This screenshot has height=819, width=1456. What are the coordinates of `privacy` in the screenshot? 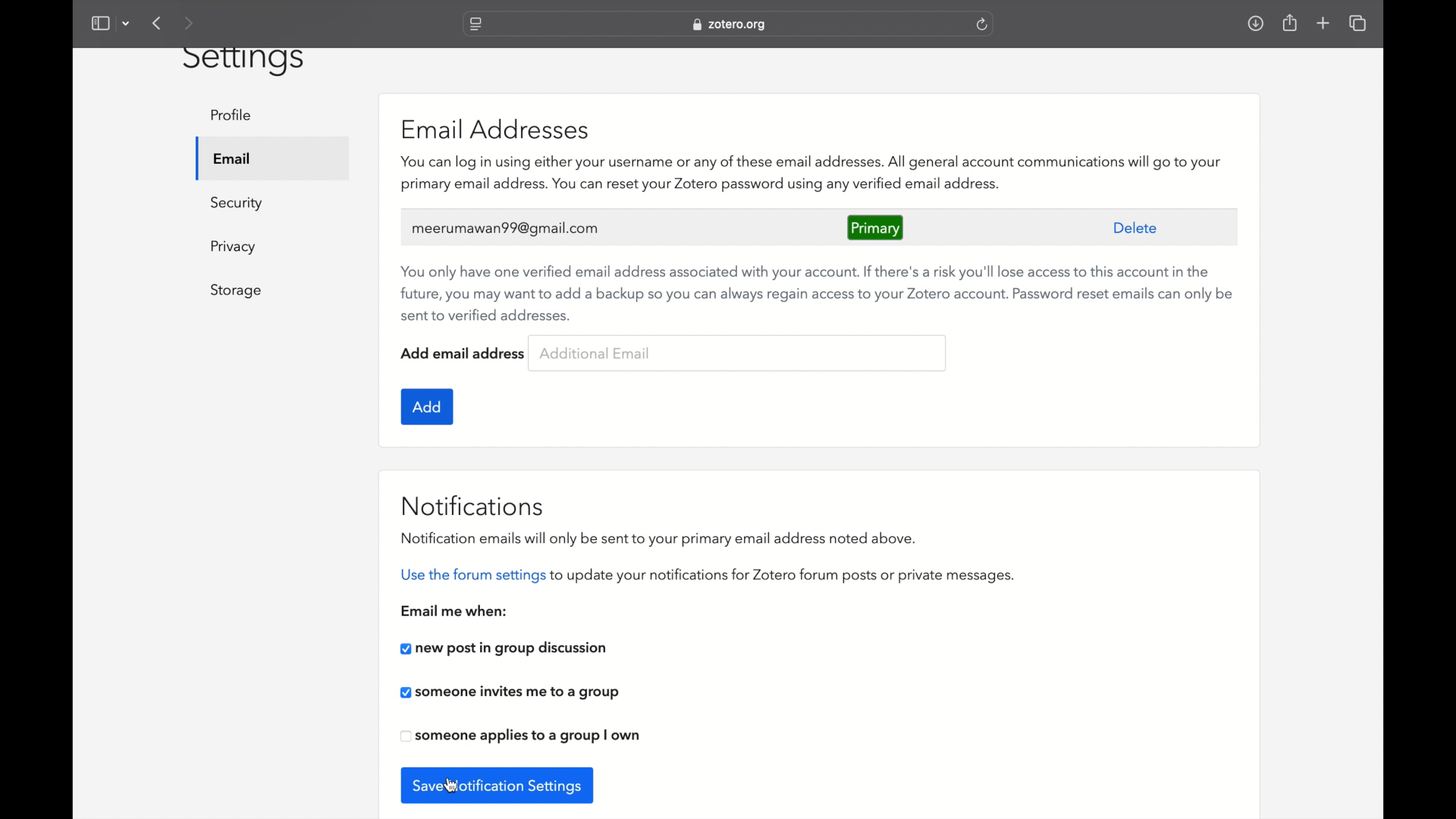 It's located at (233, 247).